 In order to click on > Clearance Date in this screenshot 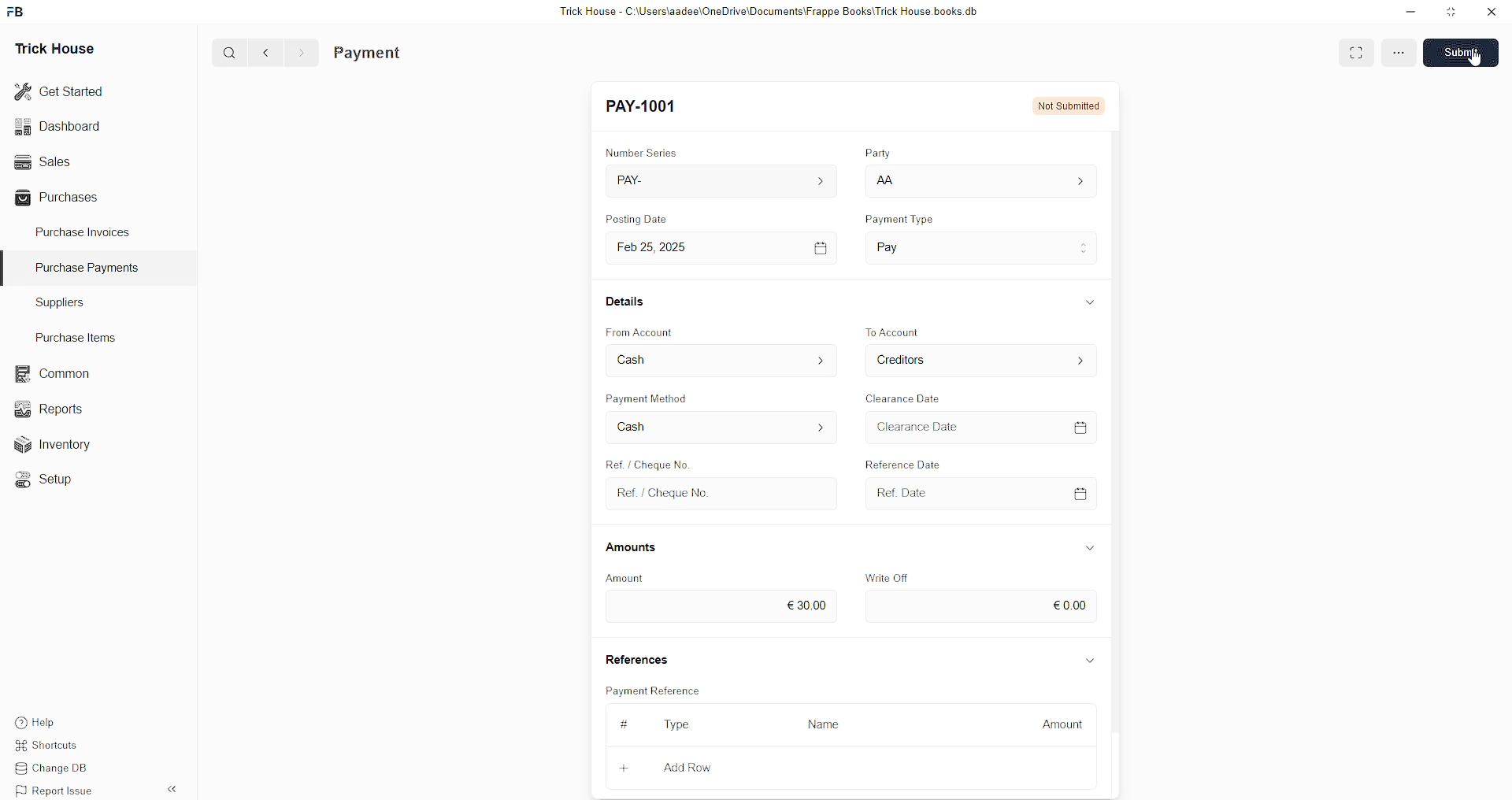, I will do `click(949, 426)`.